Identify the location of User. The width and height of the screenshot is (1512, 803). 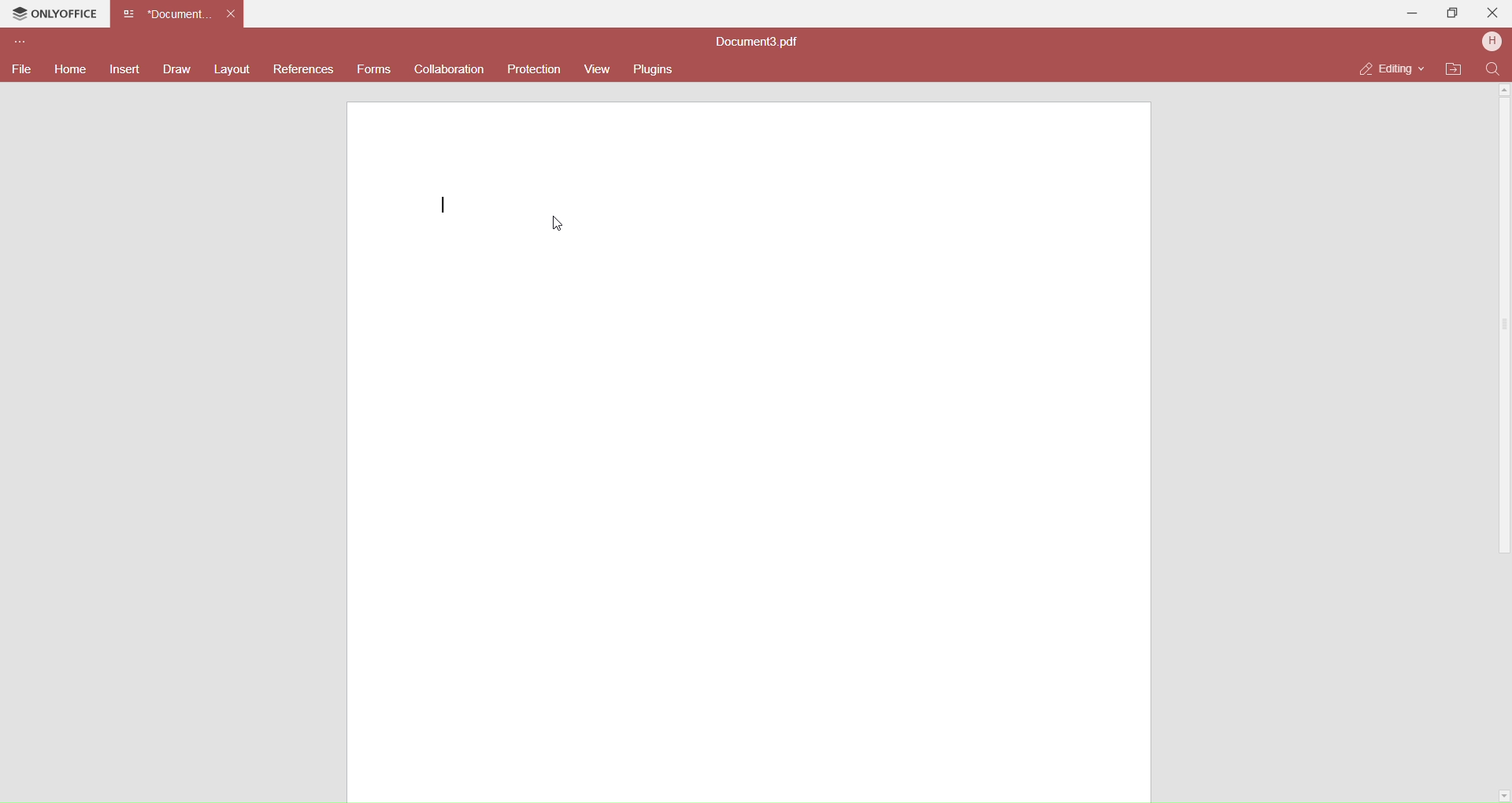
(1492, 43).